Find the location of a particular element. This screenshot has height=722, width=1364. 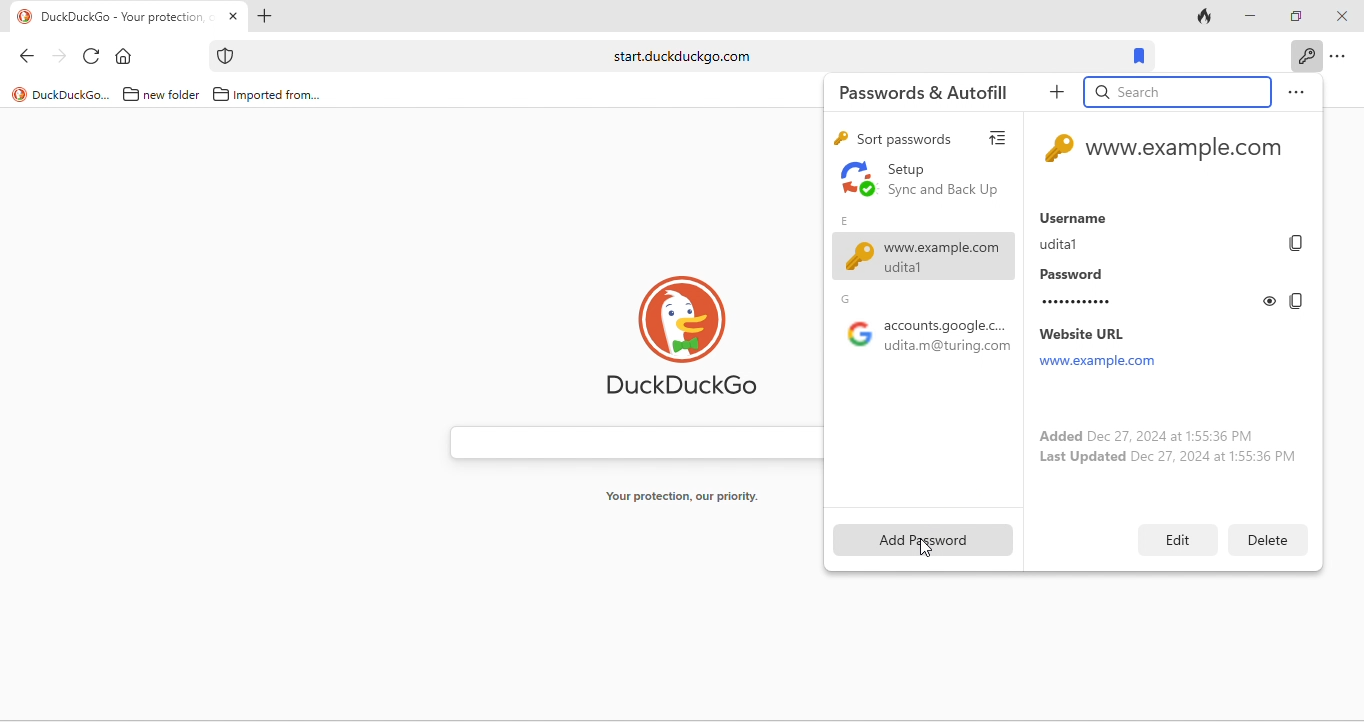

add password is located at coordinates (924, 539).